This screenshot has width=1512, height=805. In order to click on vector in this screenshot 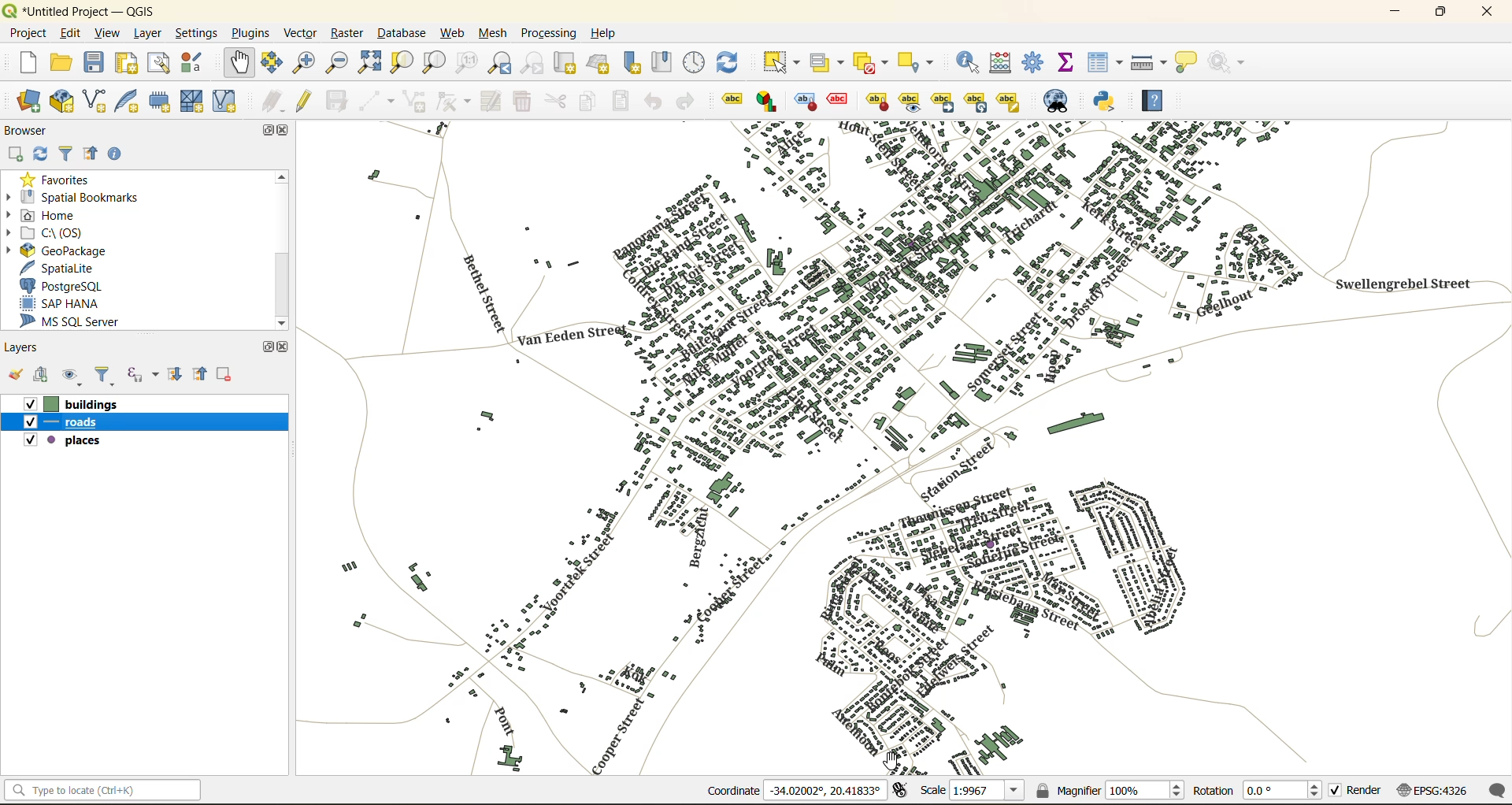, I will do `click(305, 34)`.